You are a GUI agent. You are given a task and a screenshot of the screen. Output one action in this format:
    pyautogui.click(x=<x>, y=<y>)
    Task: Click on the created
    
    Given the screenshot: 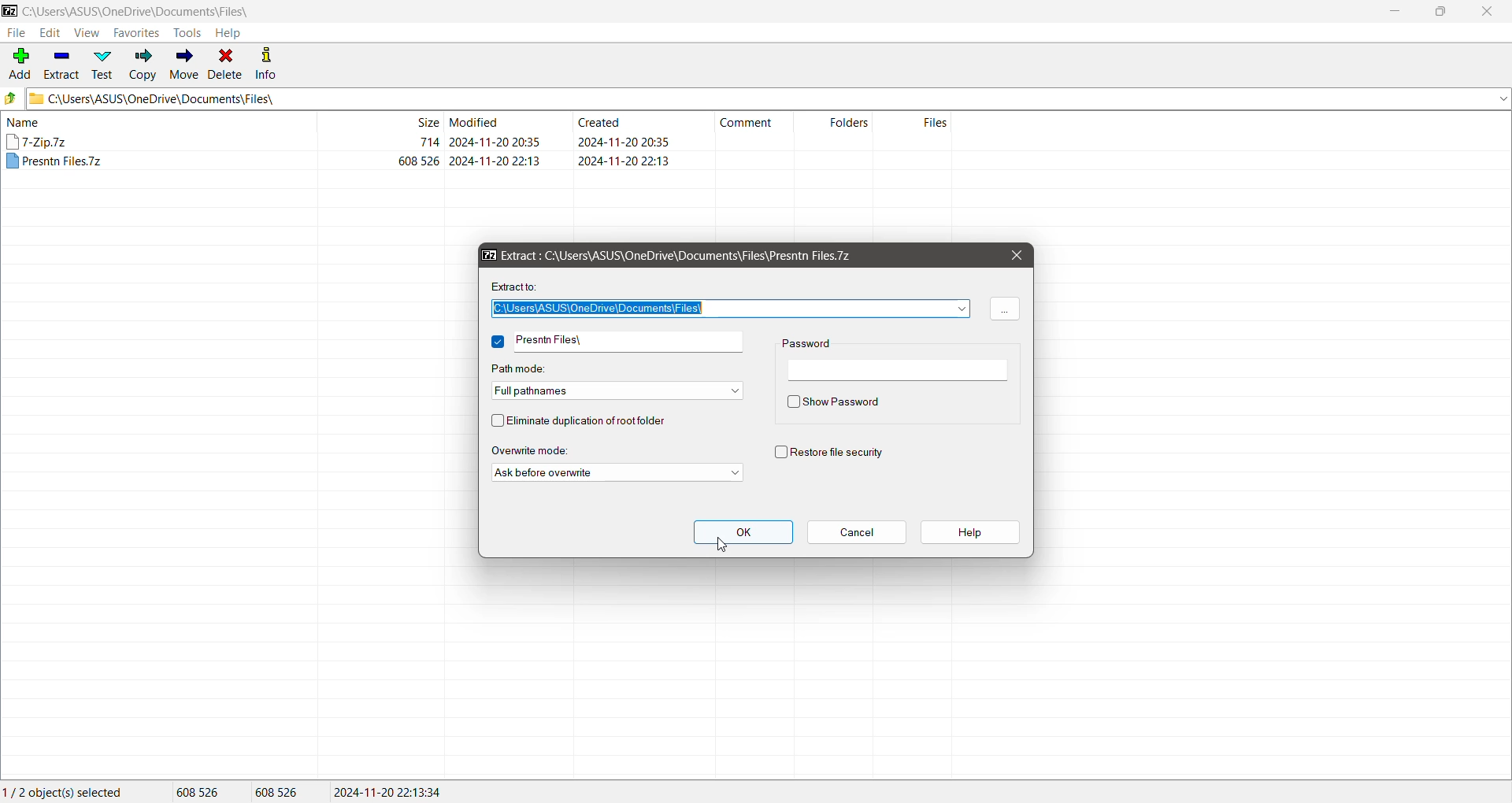 What is the action you would take?
    pyautogui.click(x=599, y=121)
    